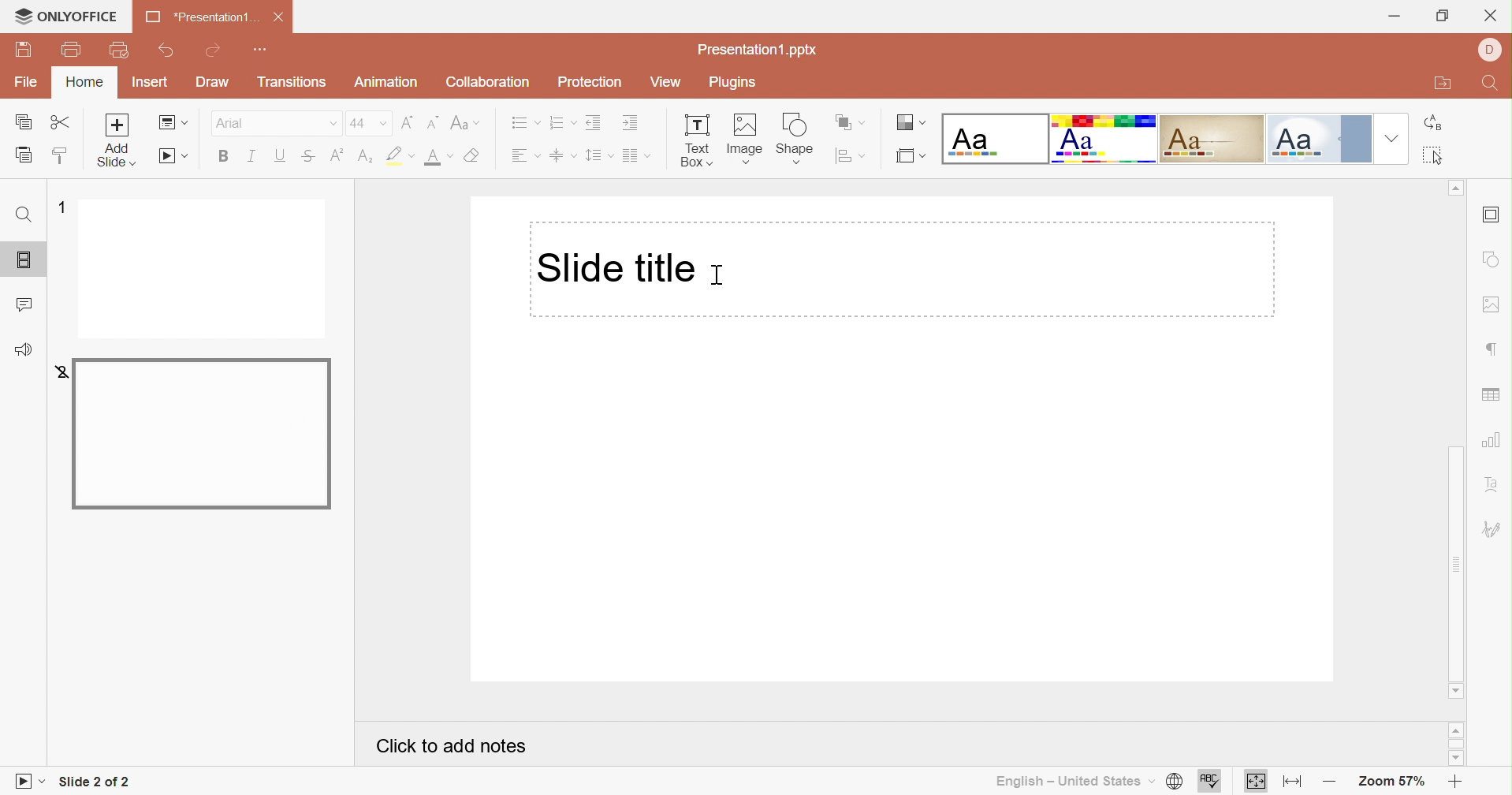 Image resolution: width=1512 pixels, height=795 pixels. What do you see at coordinates (98, 781) in the screenshot?
I see `Slide 2 of 2` at bounding box center [98, 781].